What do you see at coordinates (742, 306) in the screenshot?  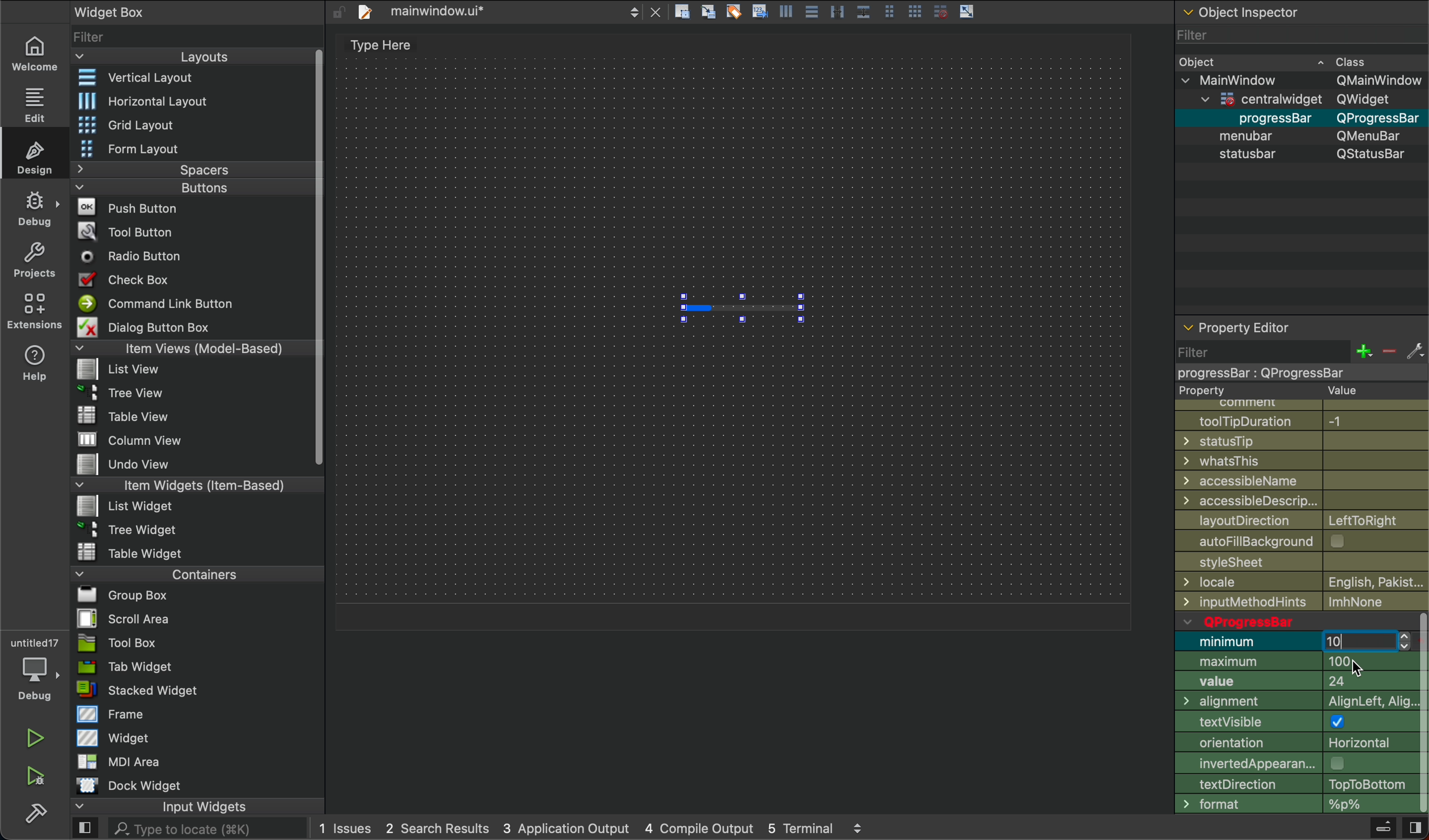 I see `progress bar` at bounding box center [742, 306].